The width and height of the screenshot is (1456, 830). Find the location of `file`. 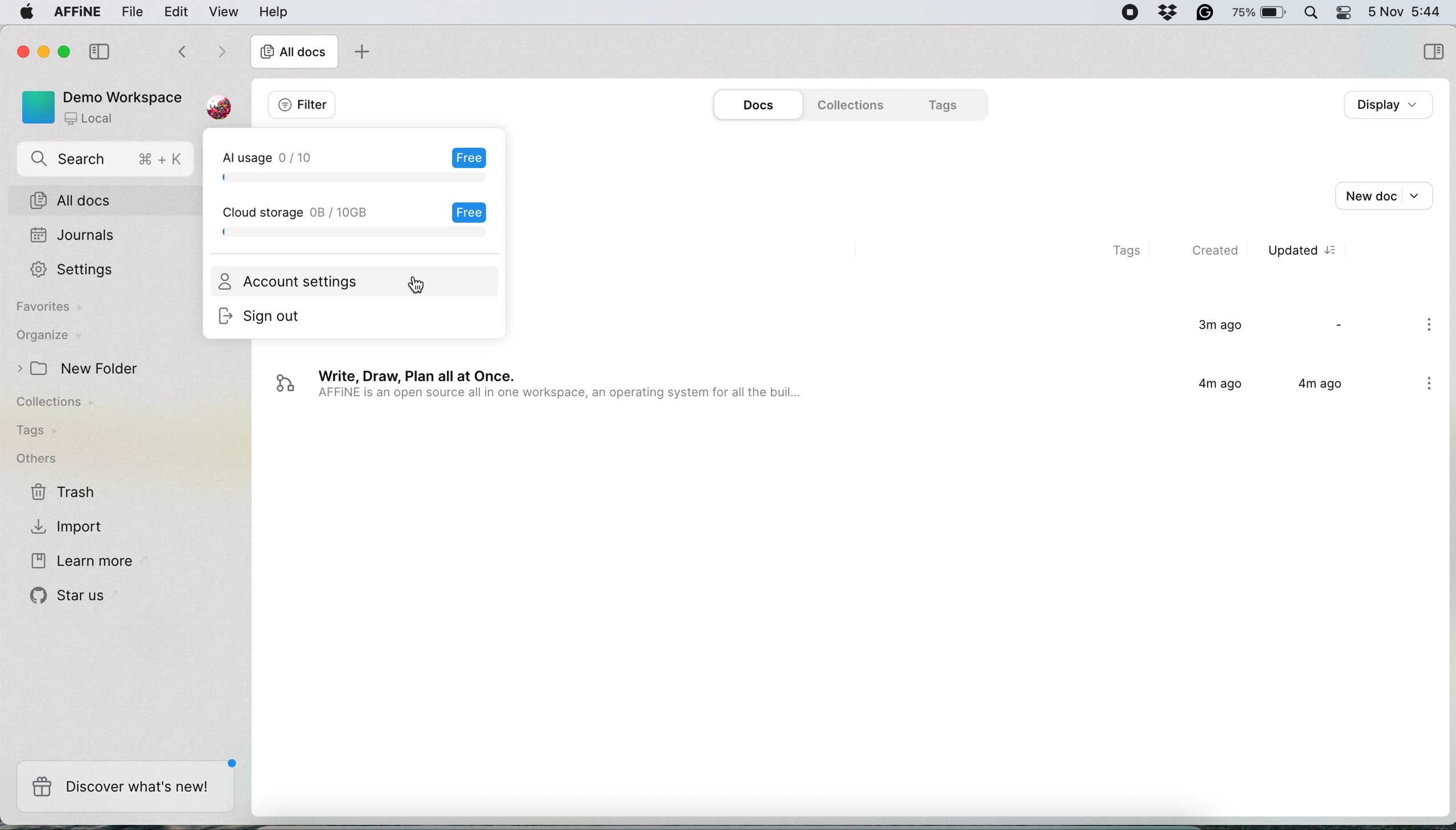

file is located at coordinates (133, 12).